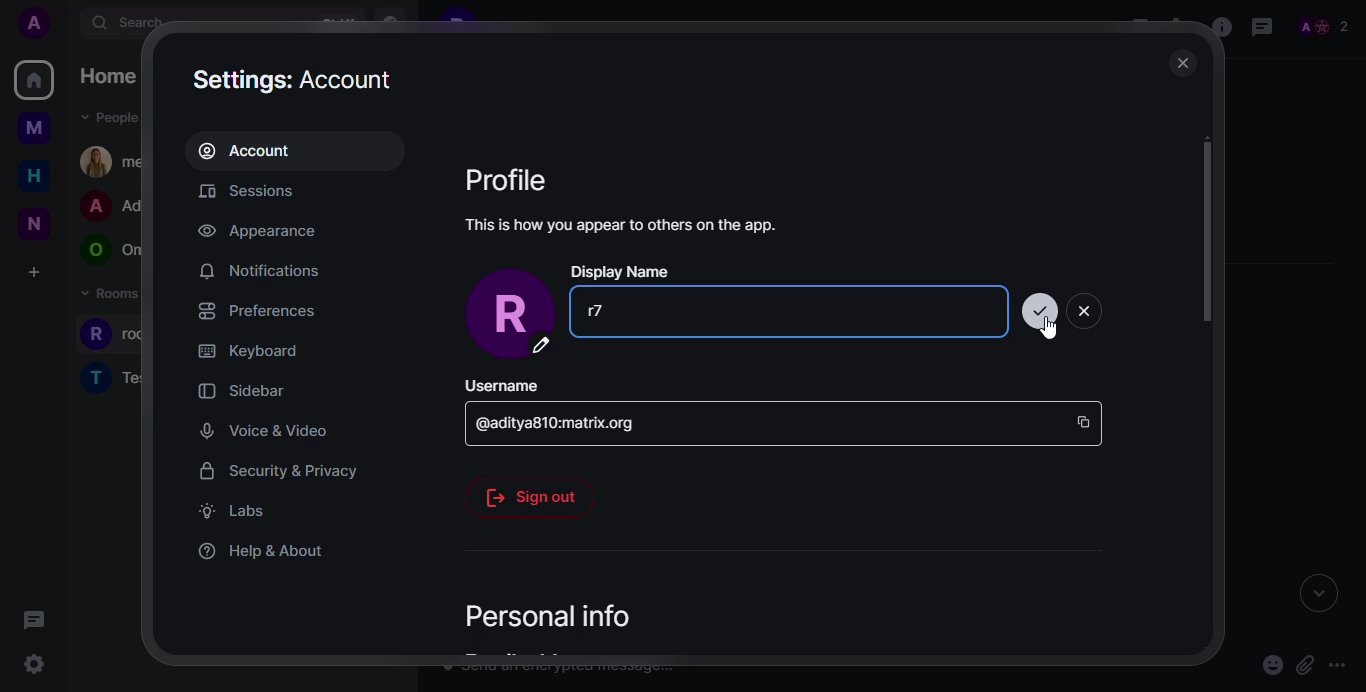 The height and width of the screenshot is (692, 1366). I want to click on notifications, so click(261, 269).